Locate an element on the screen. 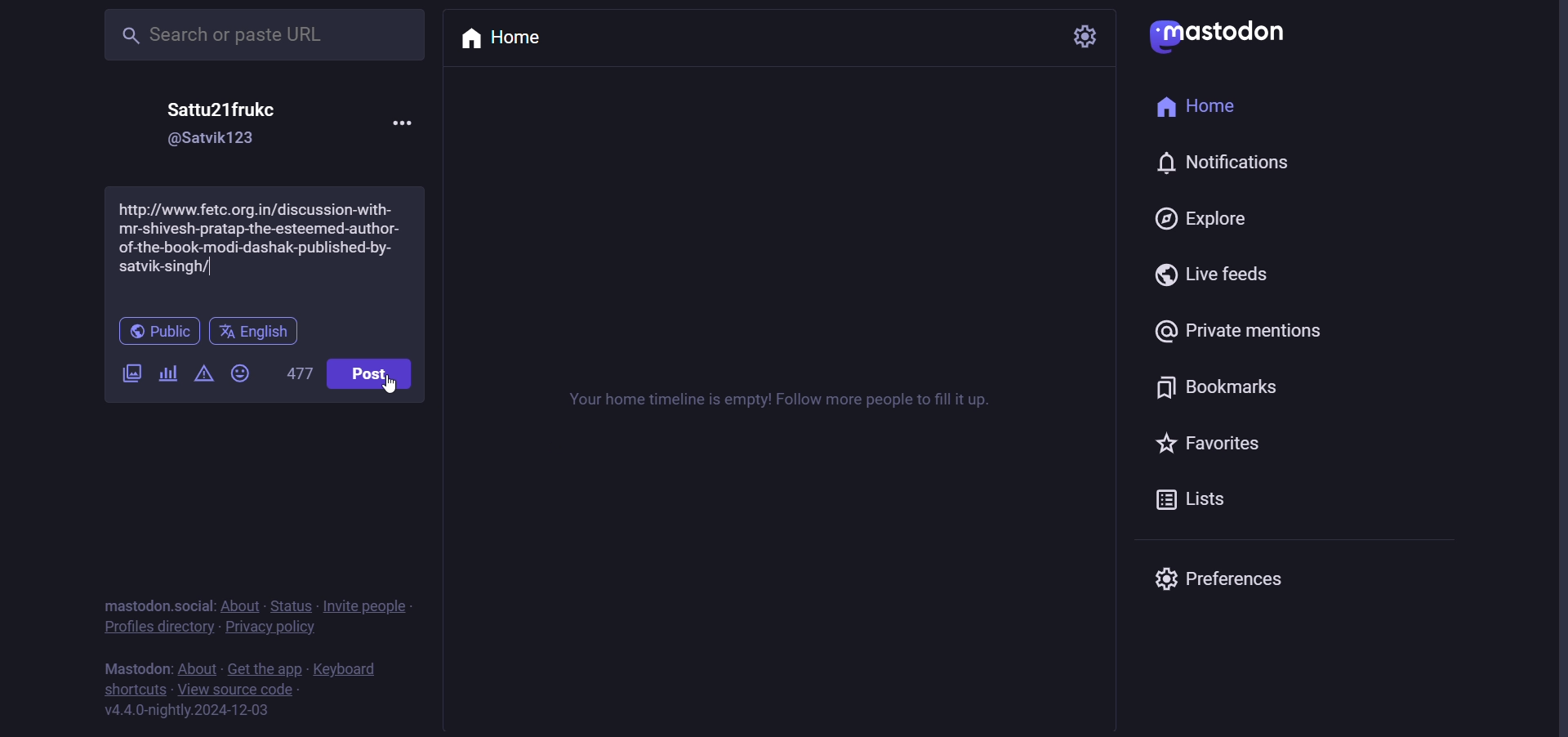 The image size is (1568, 737). list is located at coordinates (1190, 498).